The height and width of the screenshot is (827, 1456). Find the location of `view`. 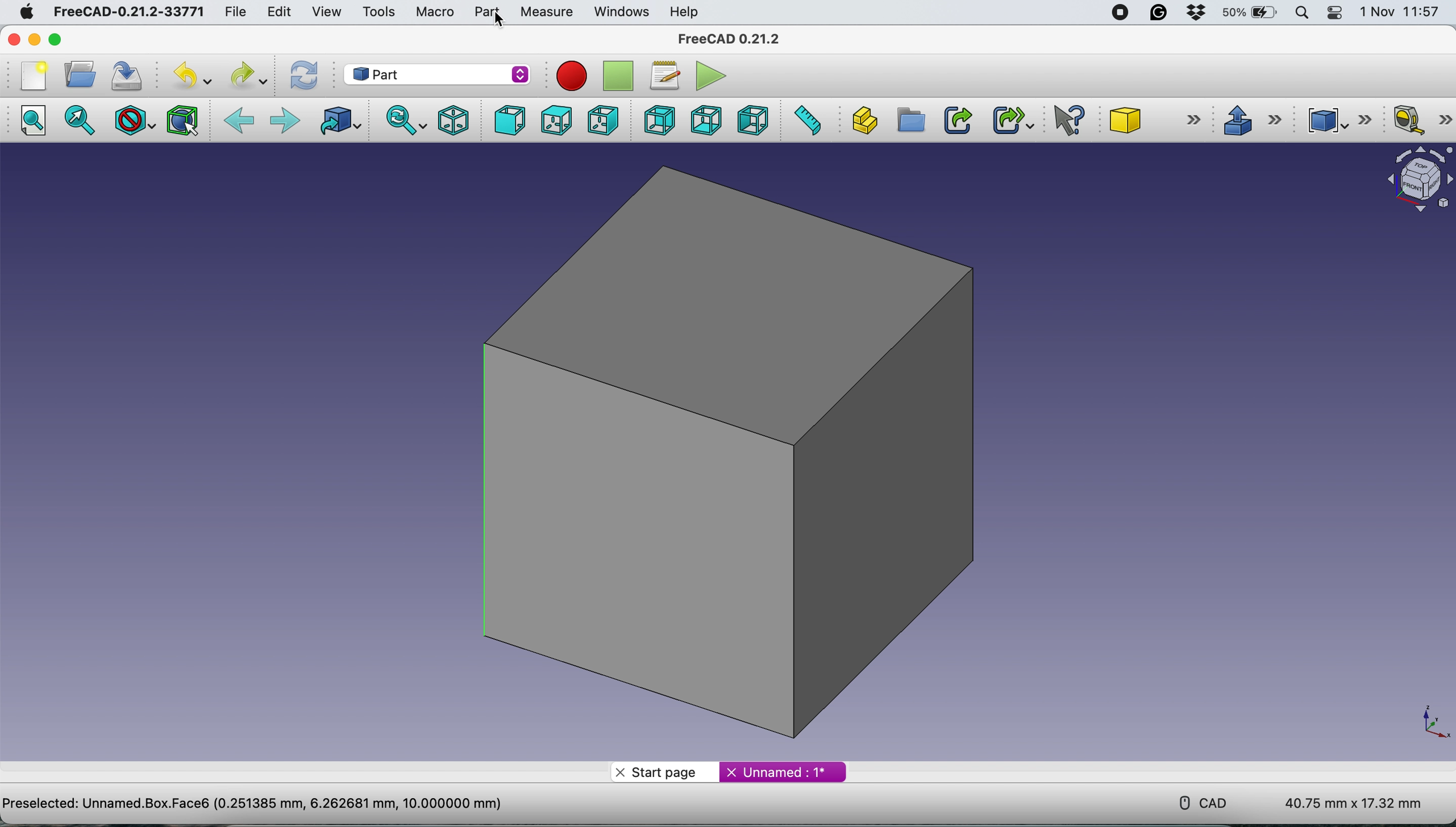

view is located at coordinates (327, 12).